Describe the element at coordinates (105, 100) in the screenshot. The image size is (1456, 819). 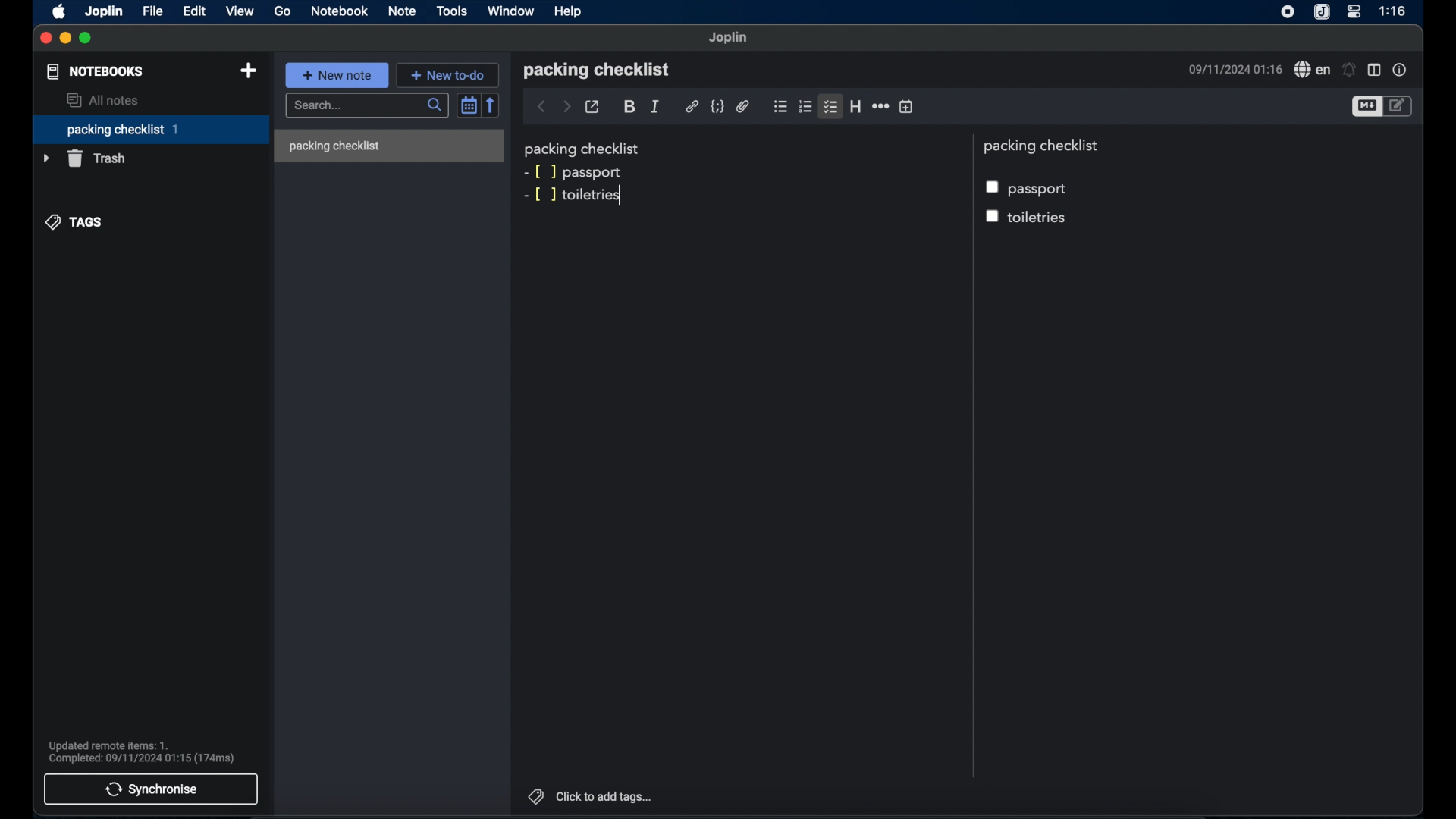
I see `all notes` at that location.